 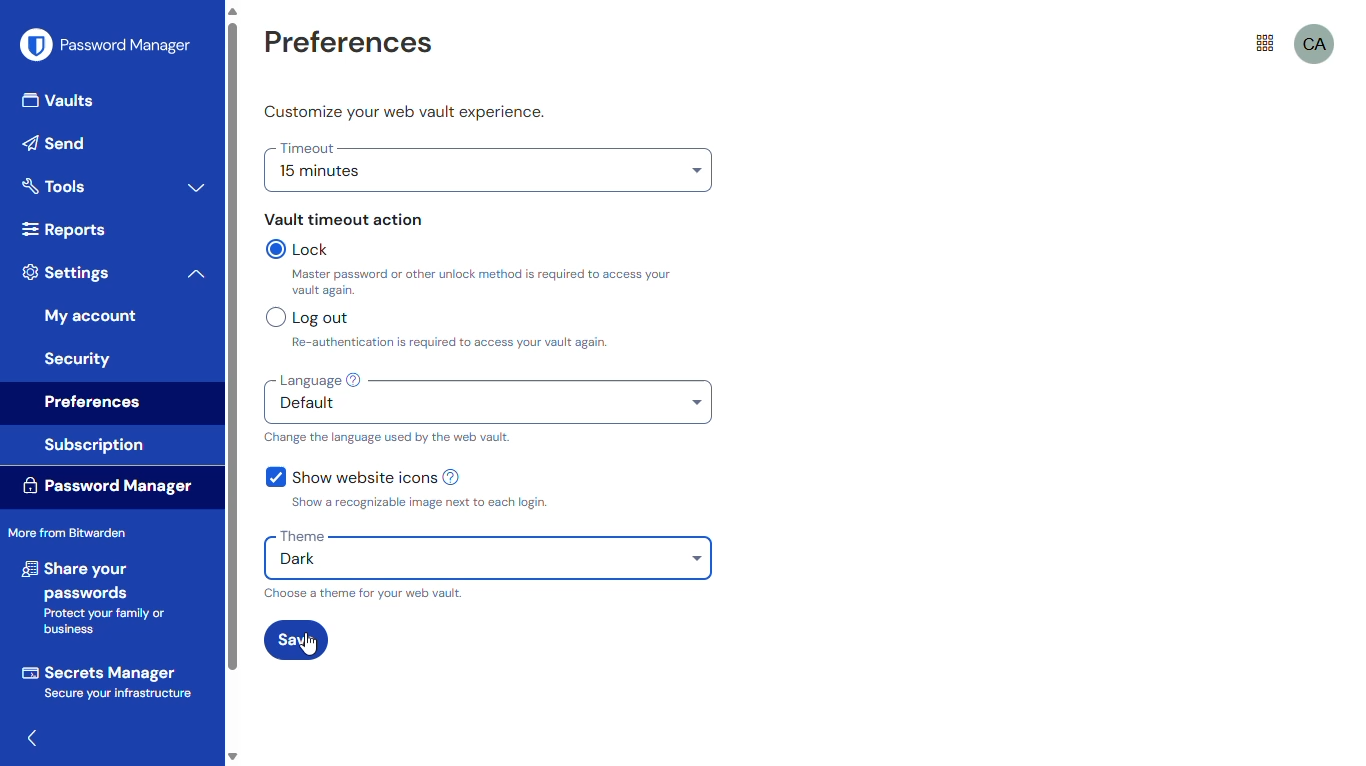 What do you see at coordinates (107, 484) in the screenshot?
I see `password manager` at bounding box center [107, 484].